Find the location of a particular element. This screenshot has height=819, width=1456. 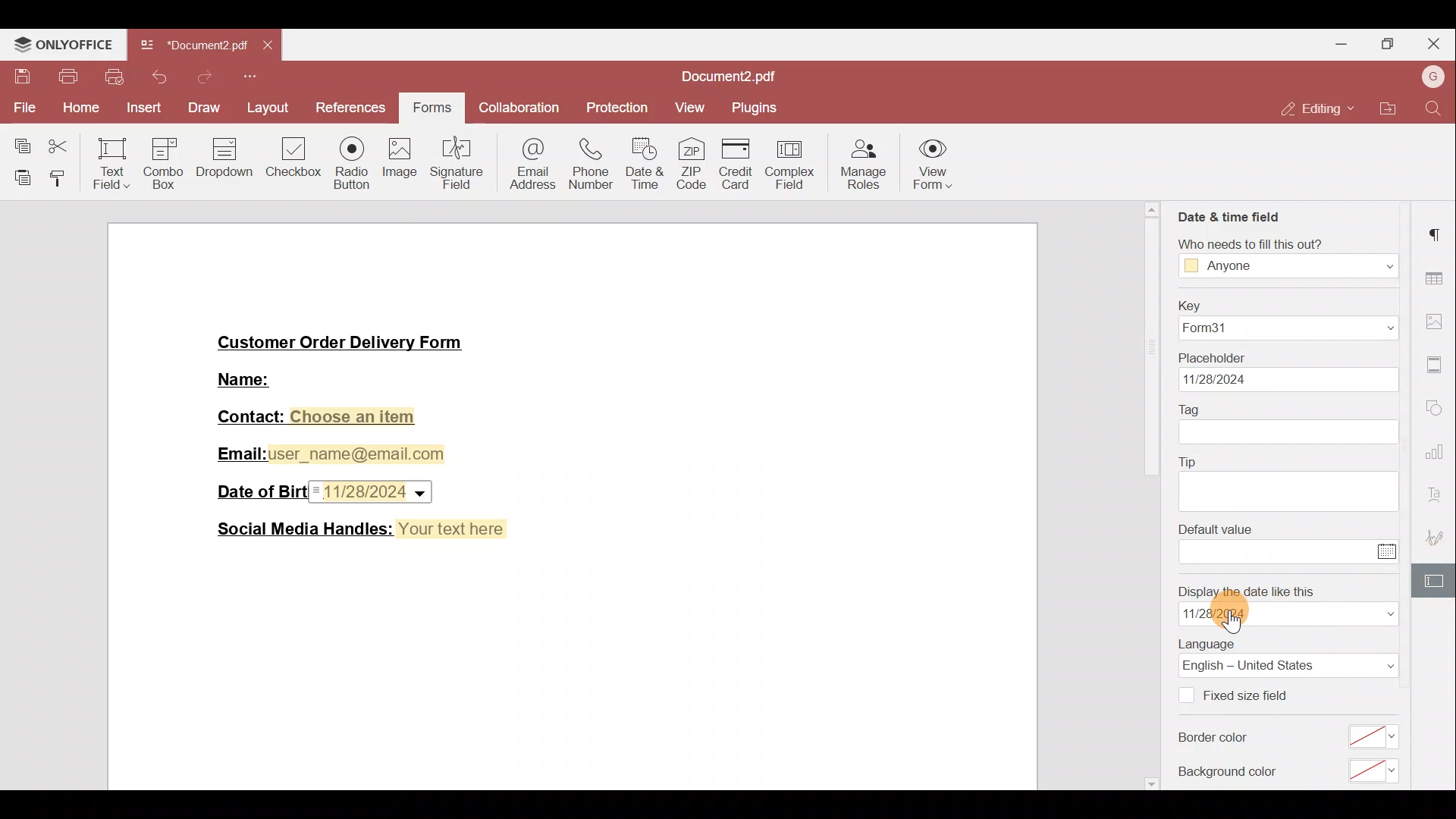

Calendar  is located at coordinates (1389, 551).